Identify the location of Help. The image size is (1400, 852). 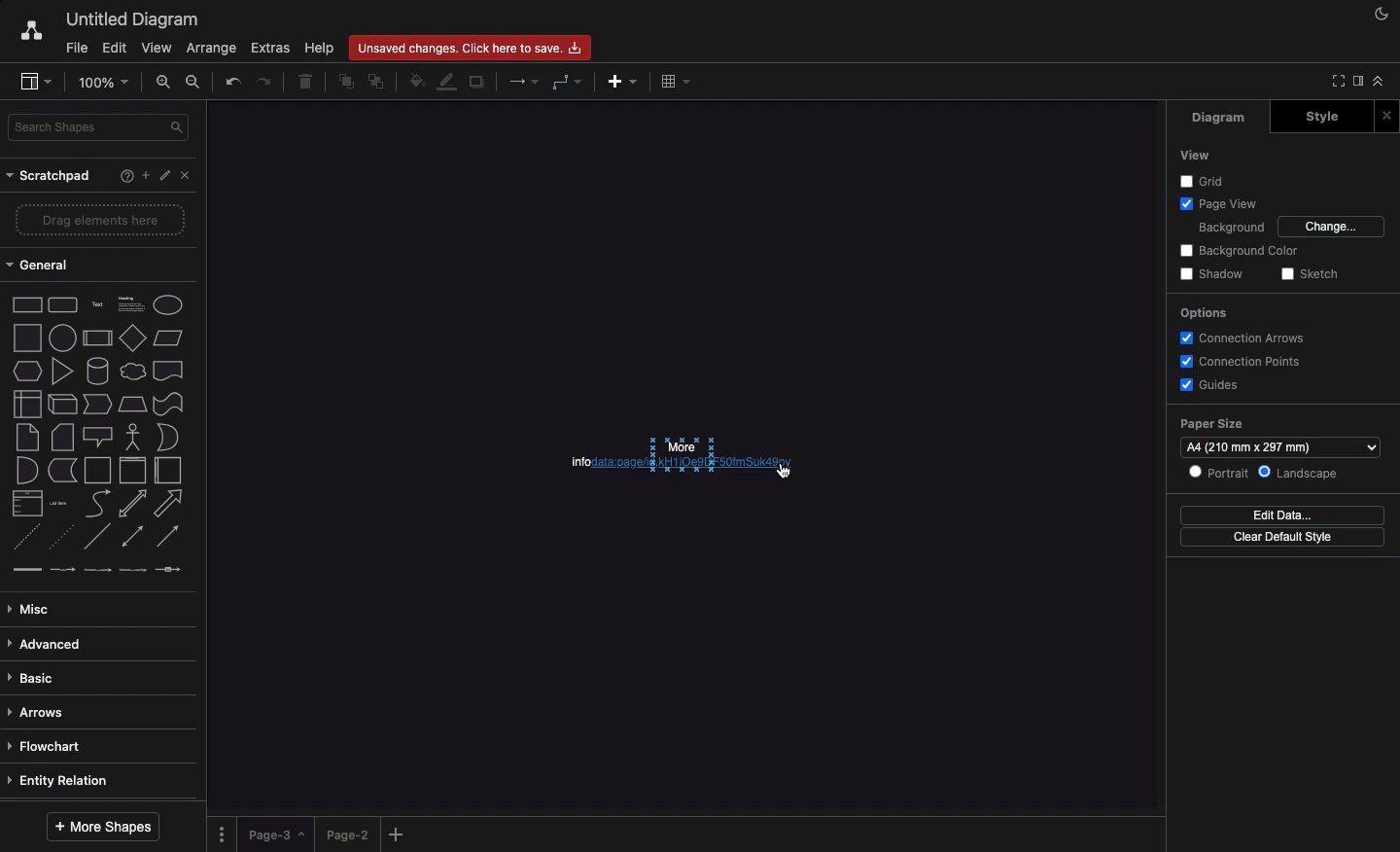
(318, 48).